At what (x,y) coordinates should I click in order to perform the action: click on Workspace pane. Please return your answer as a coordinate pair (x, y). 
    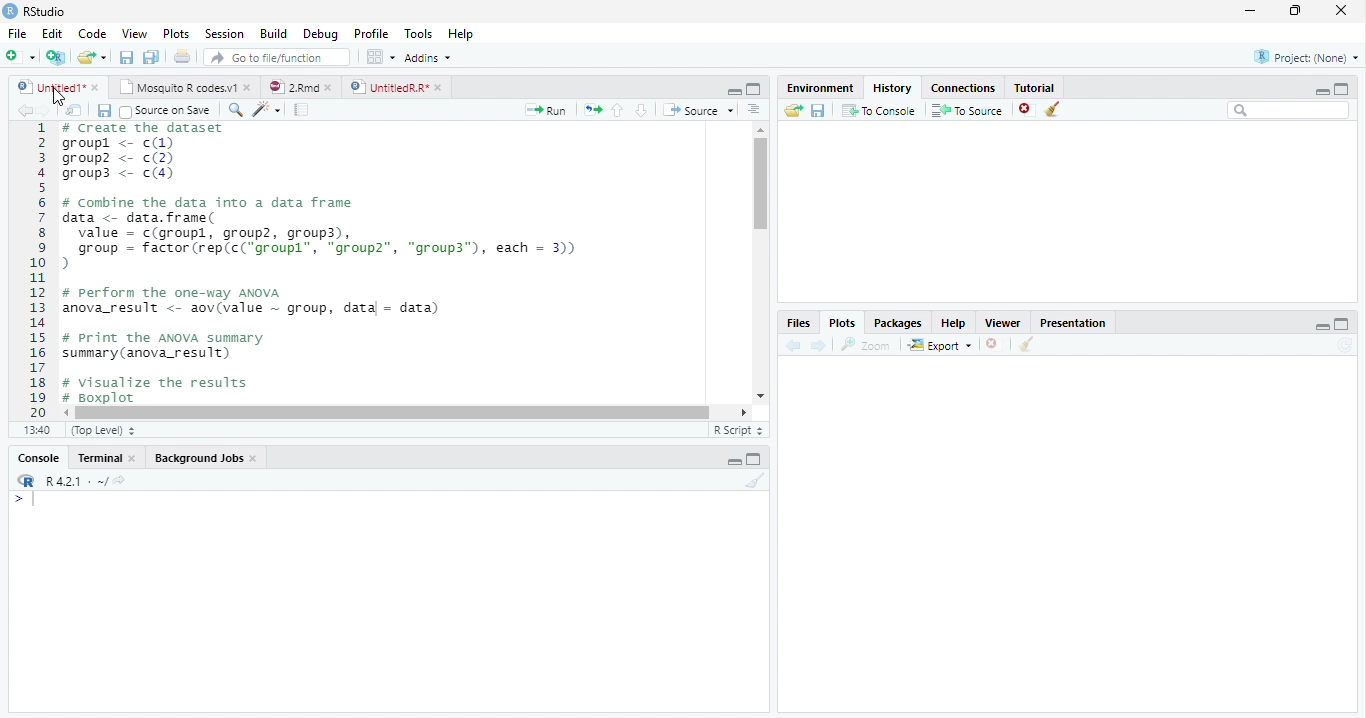
    Looking at the image, I should click on (379, 56).